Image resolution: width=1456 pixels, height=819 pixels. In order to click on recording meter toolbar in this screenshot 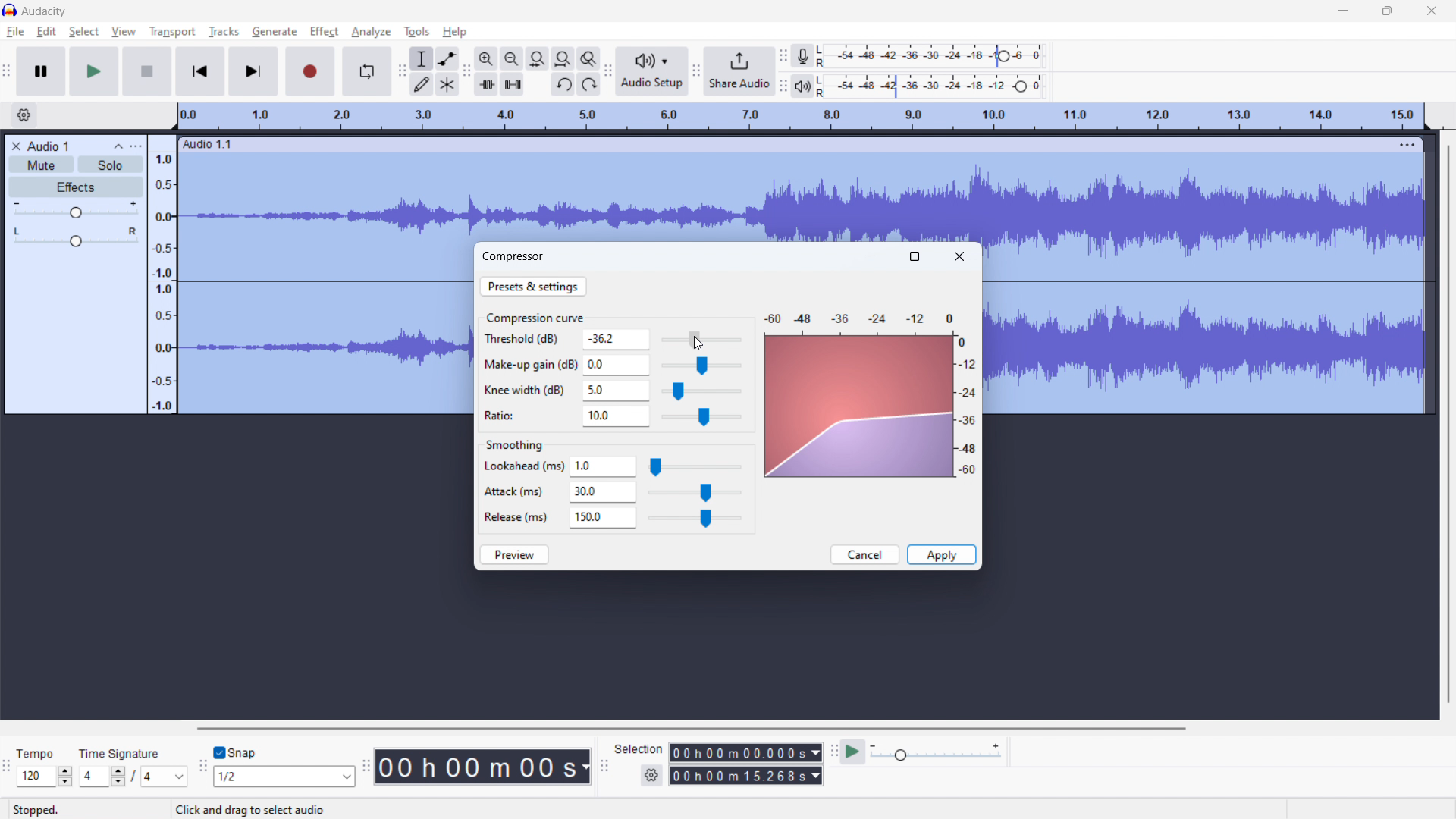, I will do `click(783, 56)`.